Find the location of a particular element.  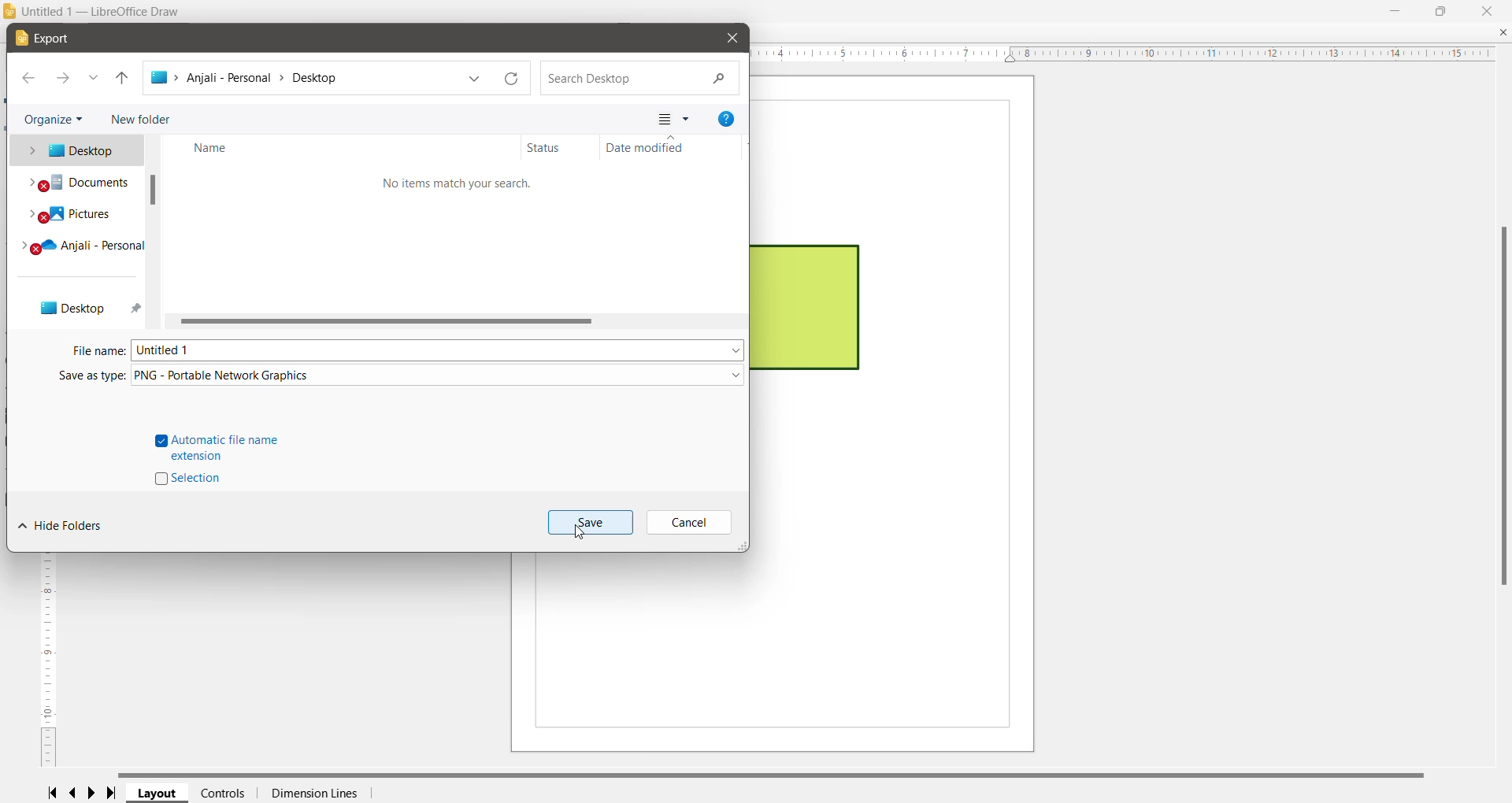

Dimension Lines is located at coordinates (313, 794).